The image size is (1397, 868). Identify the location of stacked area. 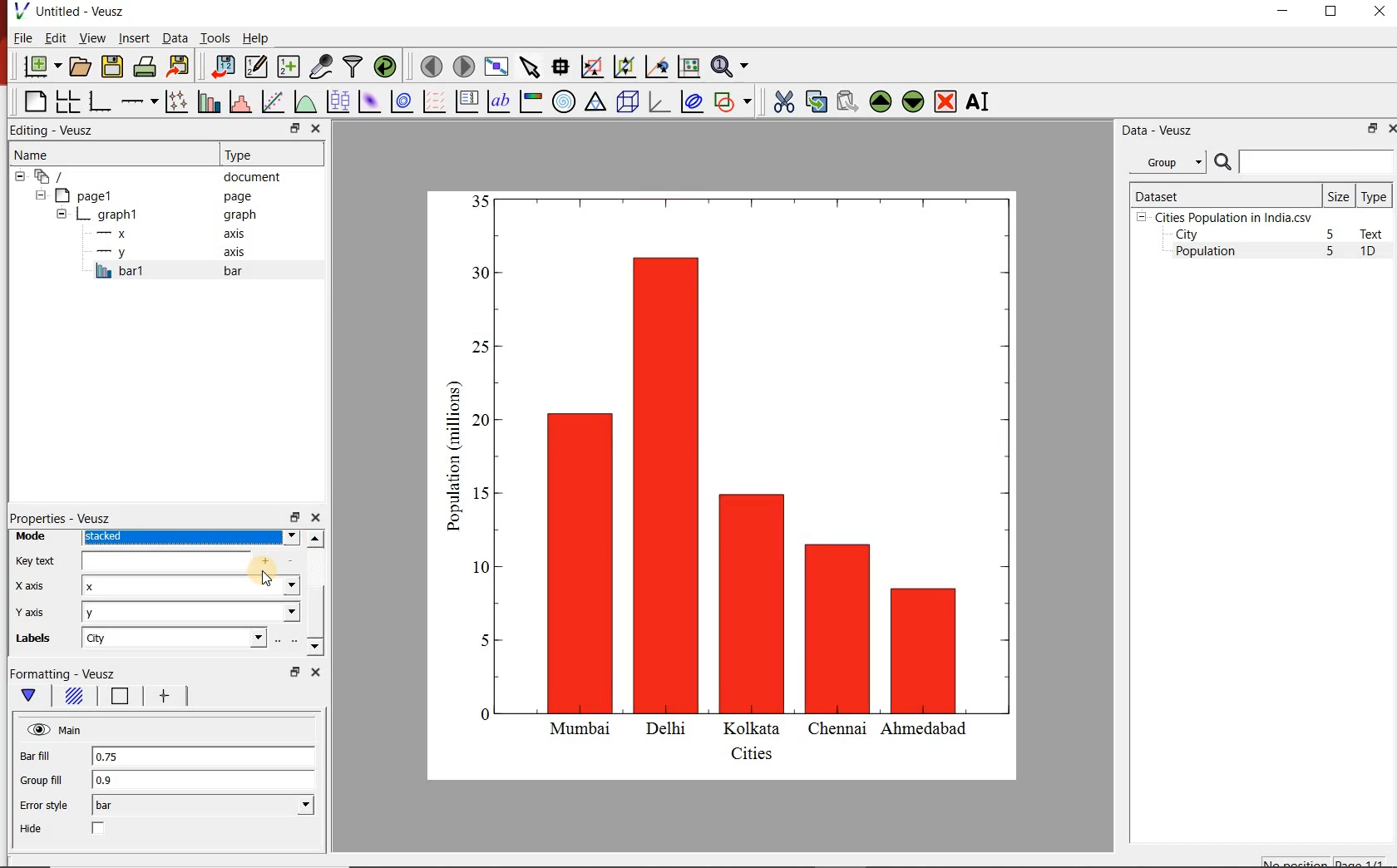
(190, 586).